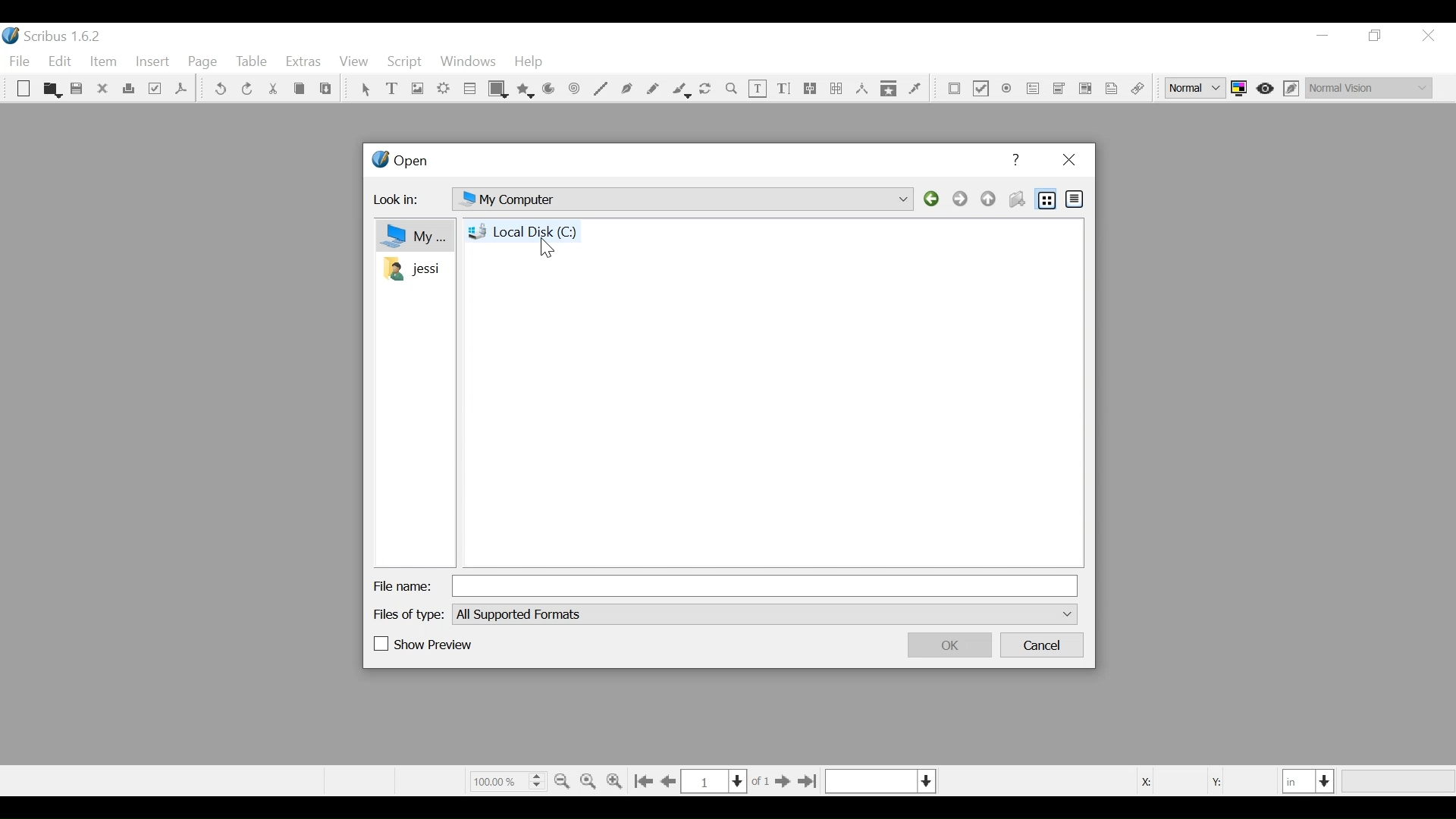 This screenshot has width=1456, height=819. Describe the element at coordinates (470, 90) in the screenshot. I see `Table` at that location.